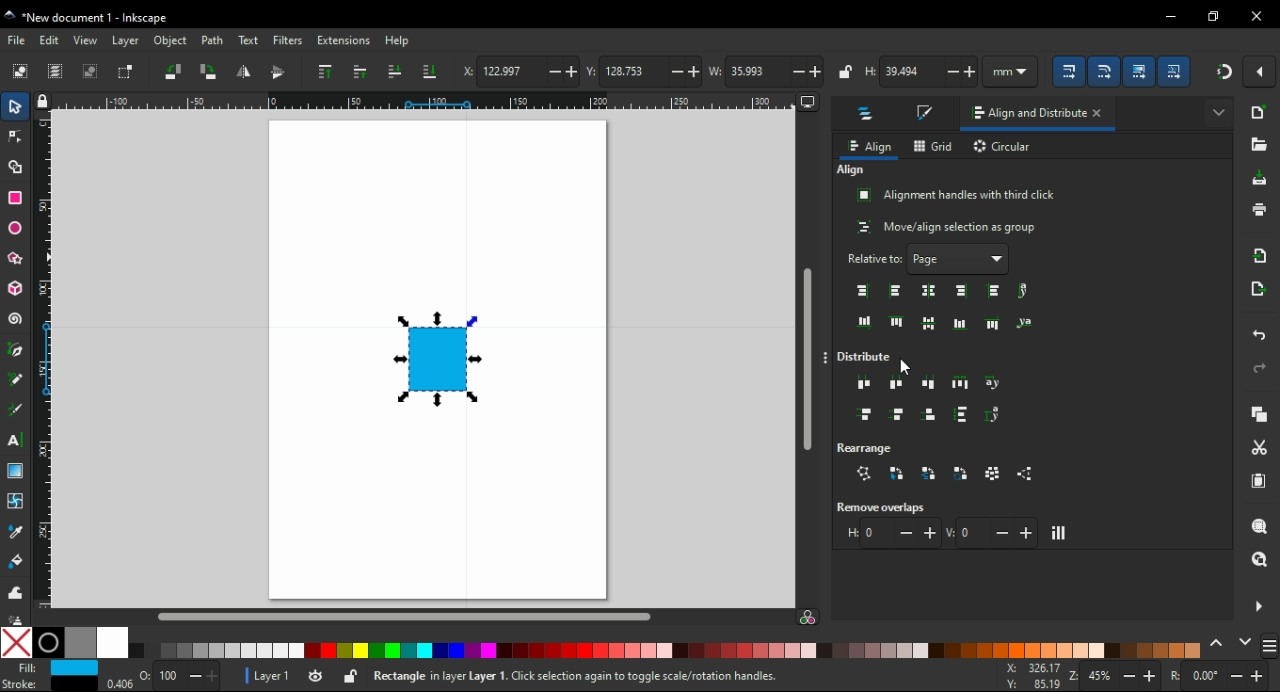  Describe the element at coordinates (1072, 71) in the screenshot. I see `when scaling an object, scale the stroke width in the same proportion` at that location.